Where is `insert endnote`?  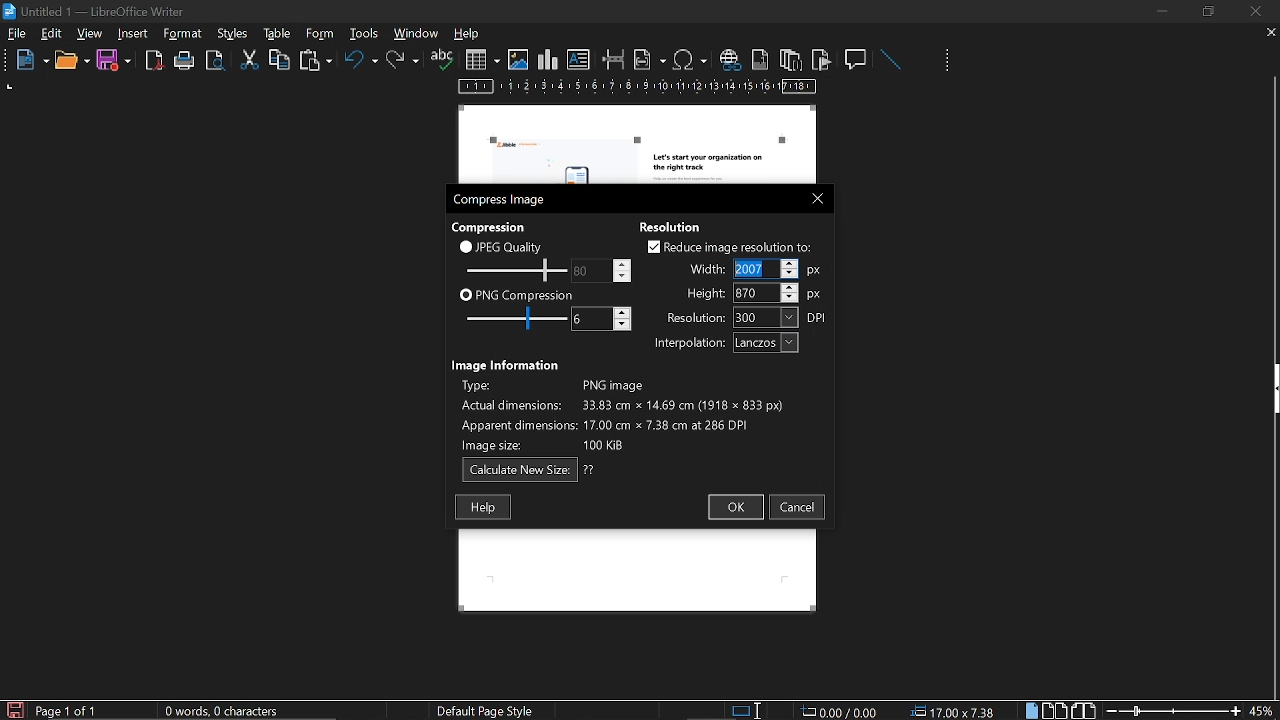 insert endnote is located at coordinates (790, 59).